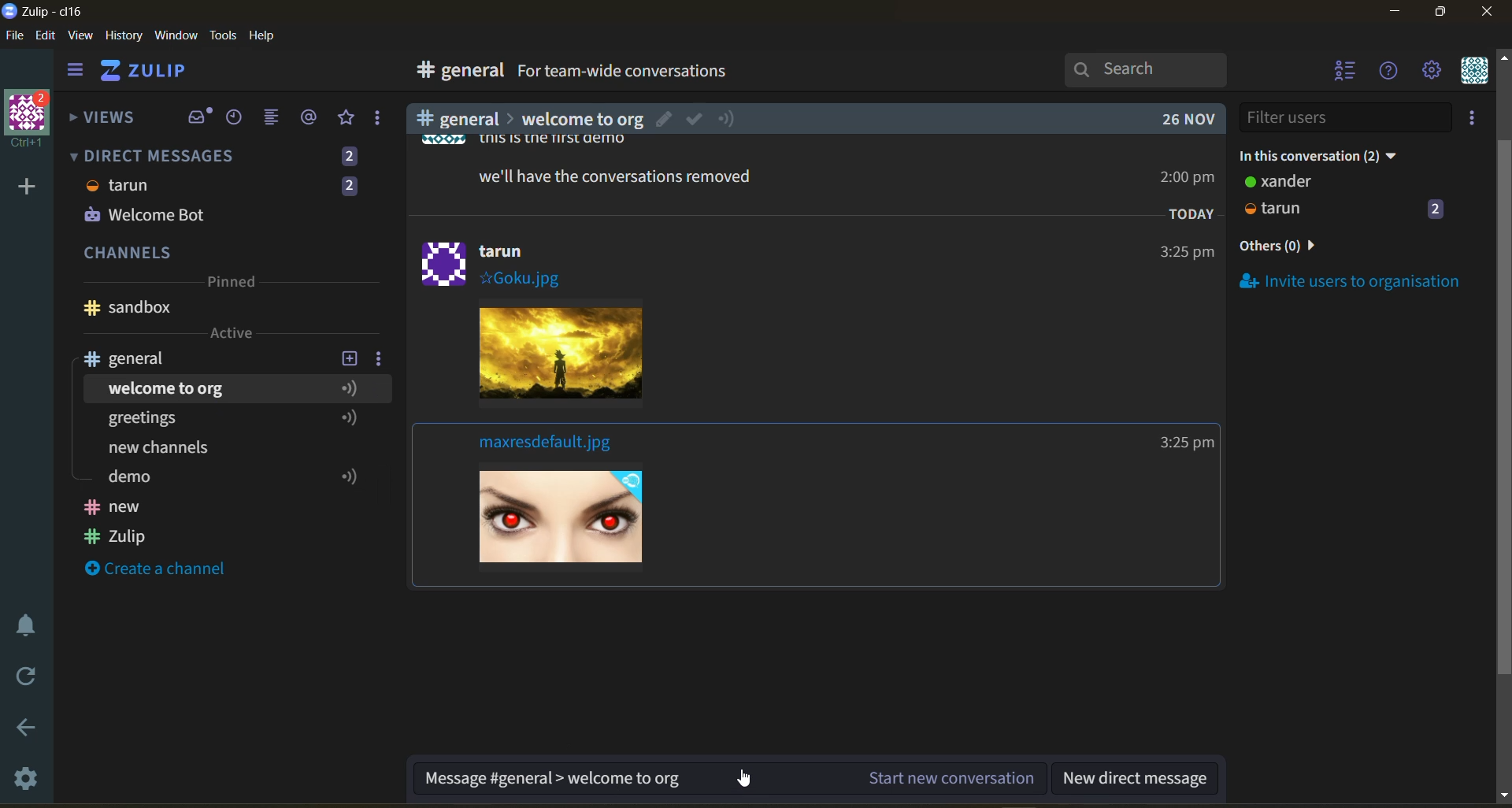  Describe the element at coordinates (43, 12) in the screenshot. I see `app name and organisation name` at that location.